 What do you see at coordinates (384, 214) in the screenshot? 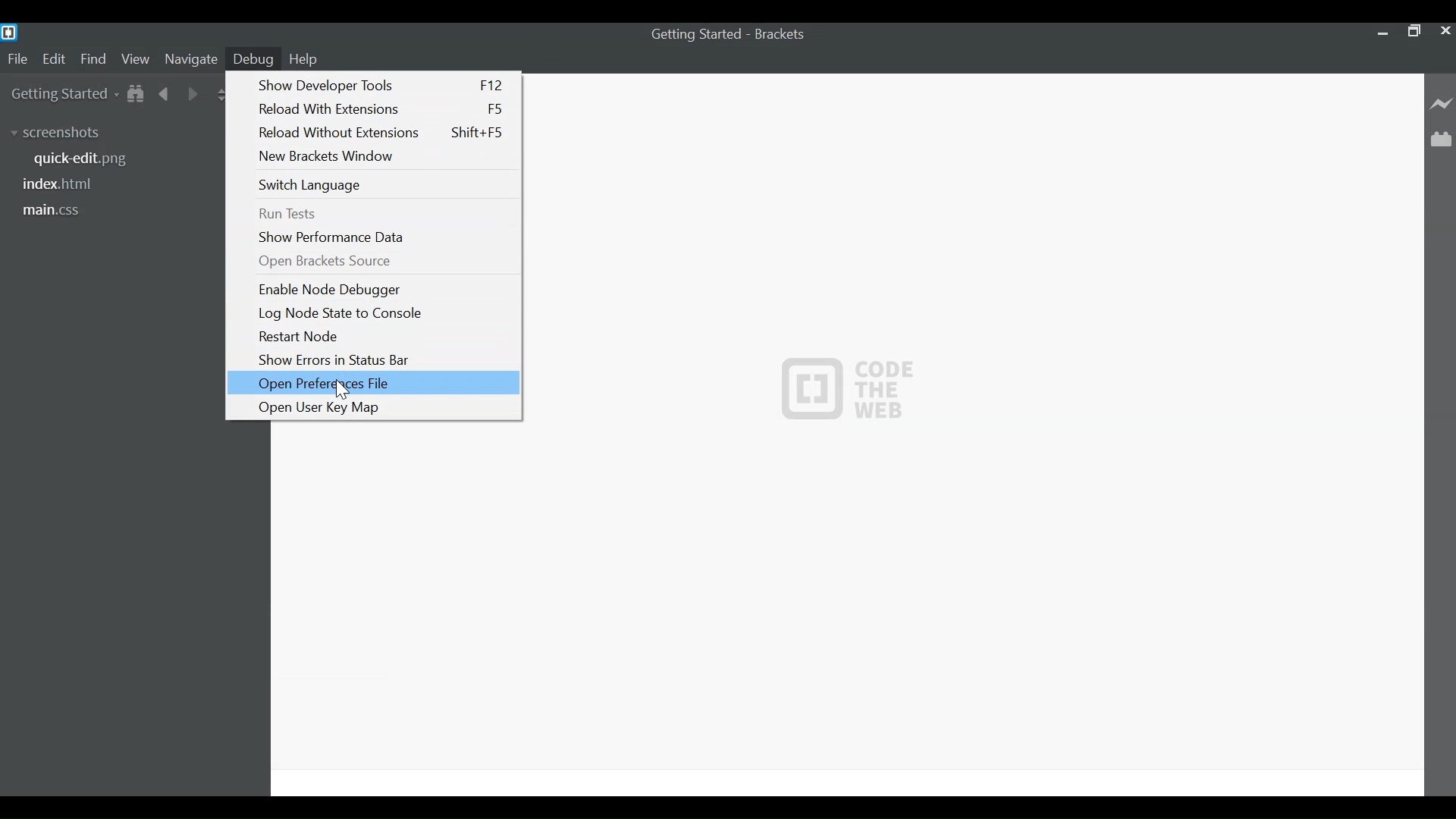
I see `Run Tests` at bounding box center [384, 214].